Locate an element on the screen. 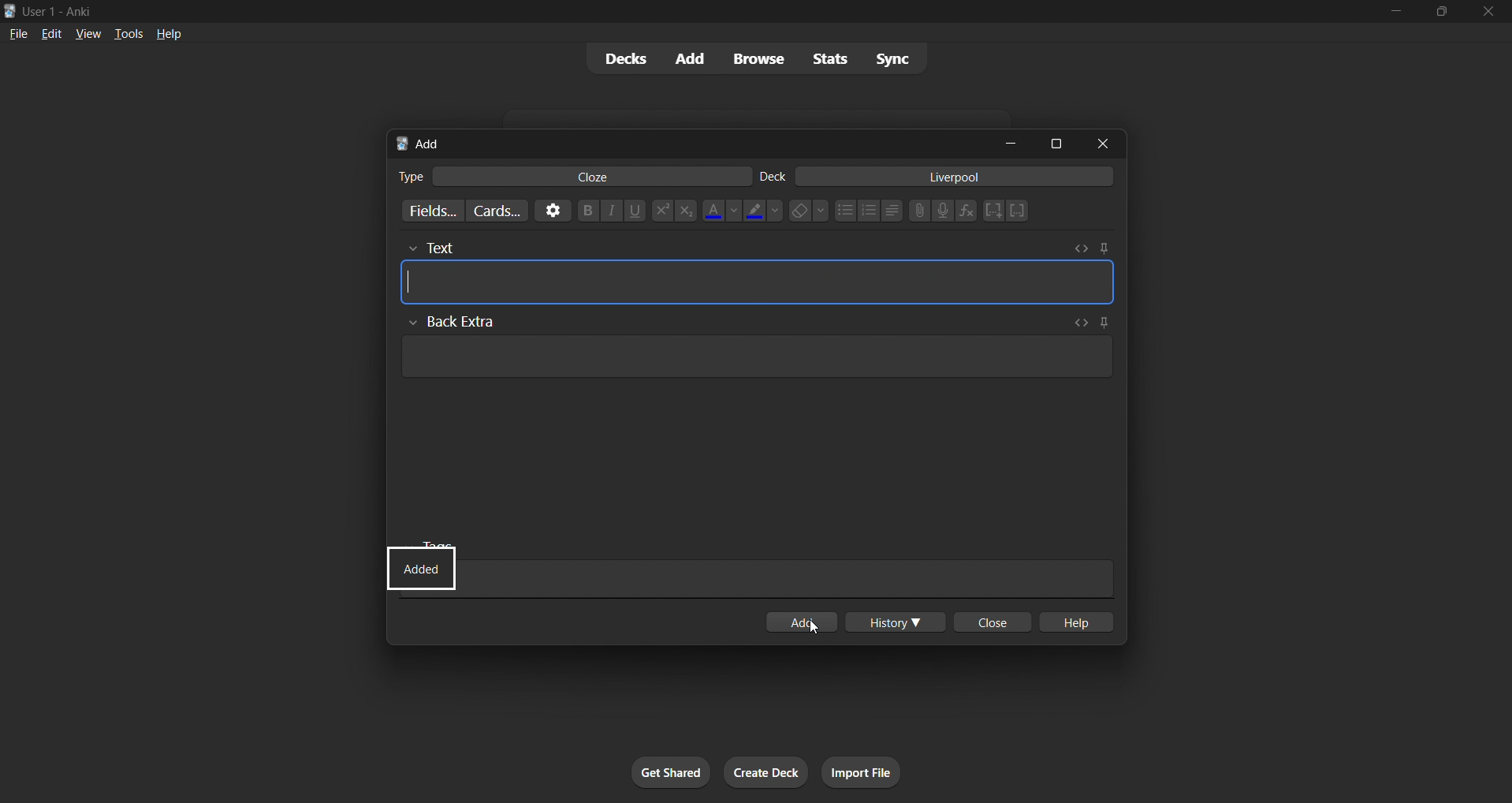  tools is located at coordinates (127, 35).